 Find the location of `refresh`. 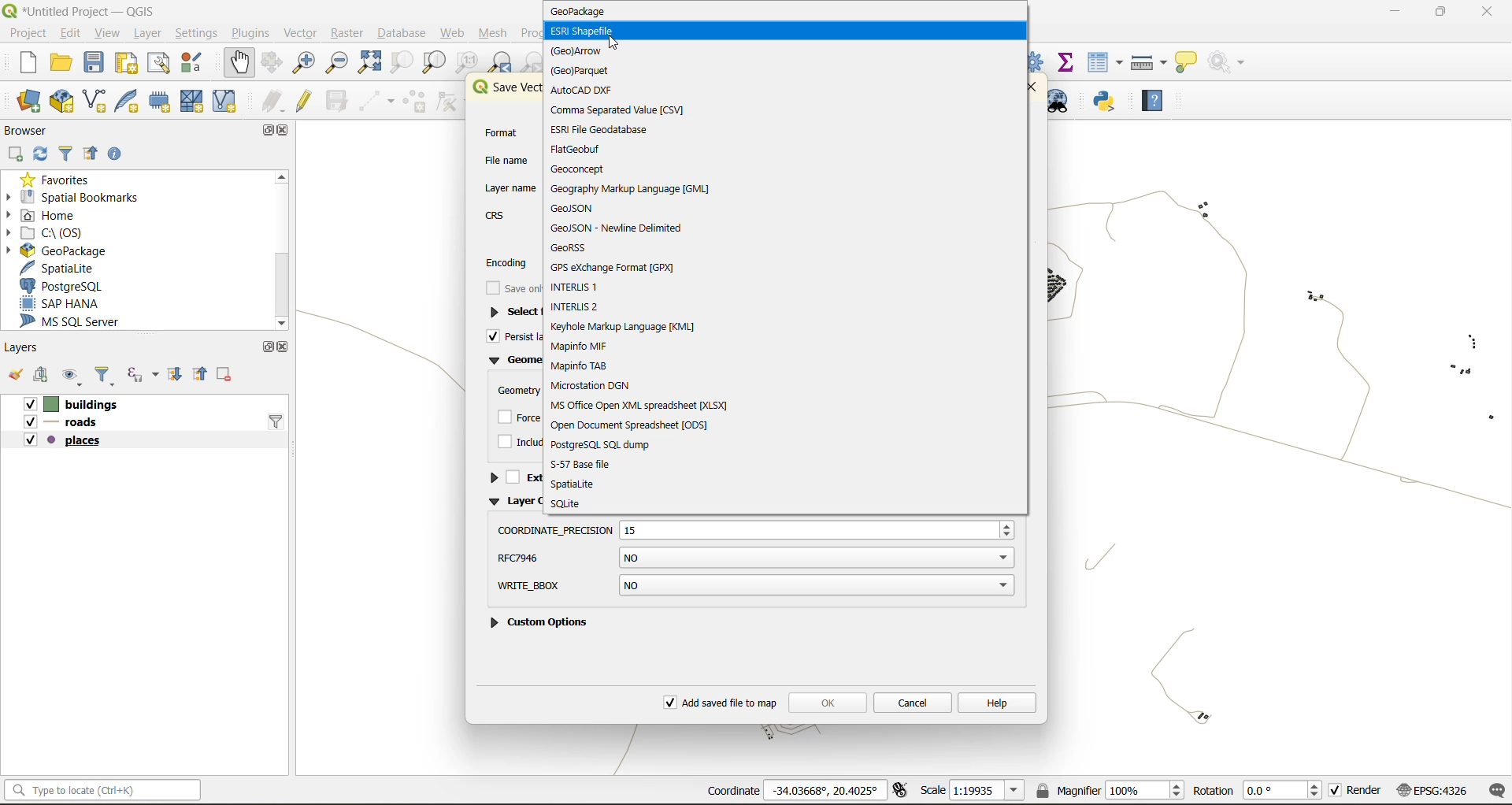

refresh is located at coordinates (43, 153).